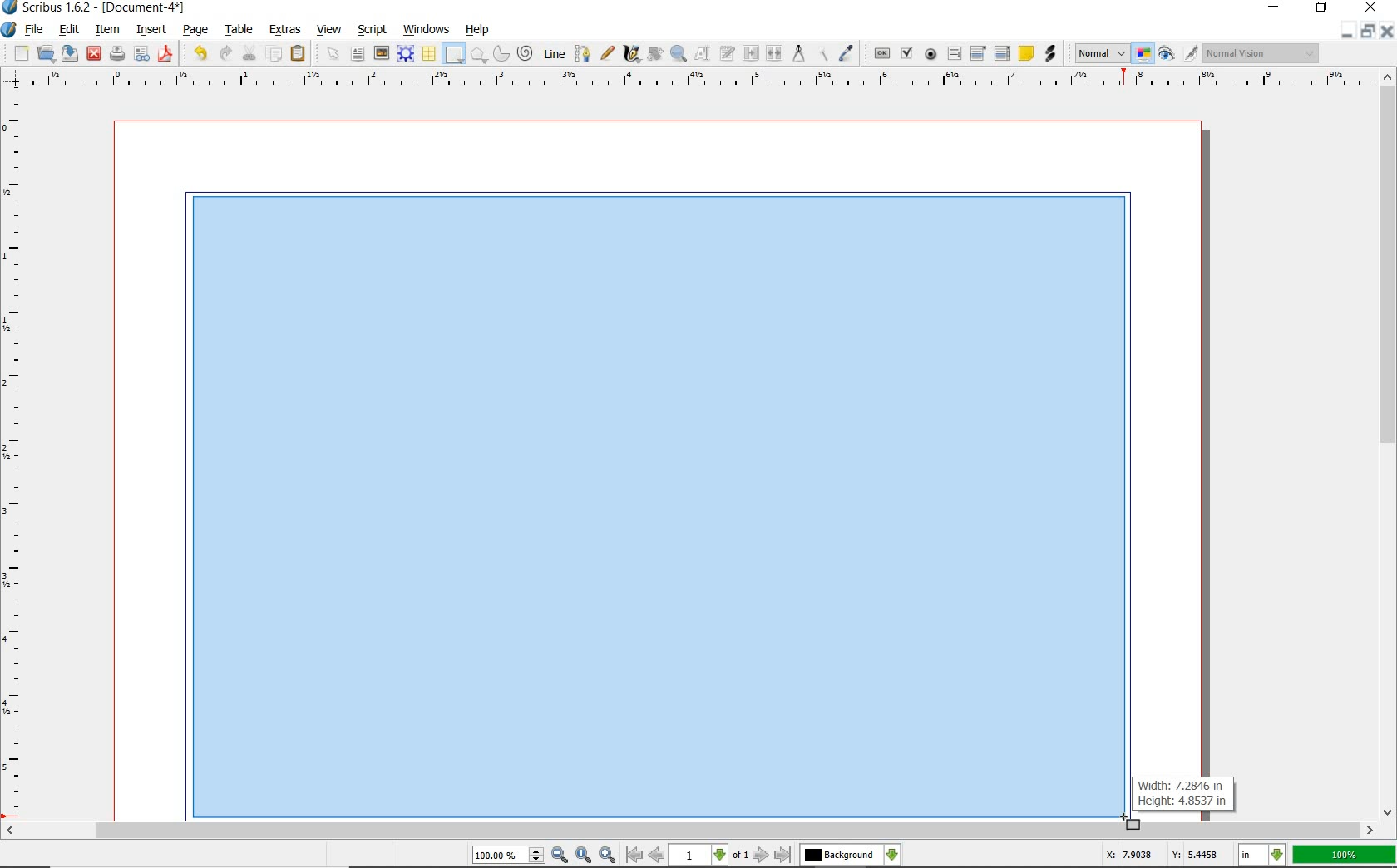 The image size is (1397, 868). Describe the element at coordinates (358, 56) in the screenshot. I see `text frame` at that location.